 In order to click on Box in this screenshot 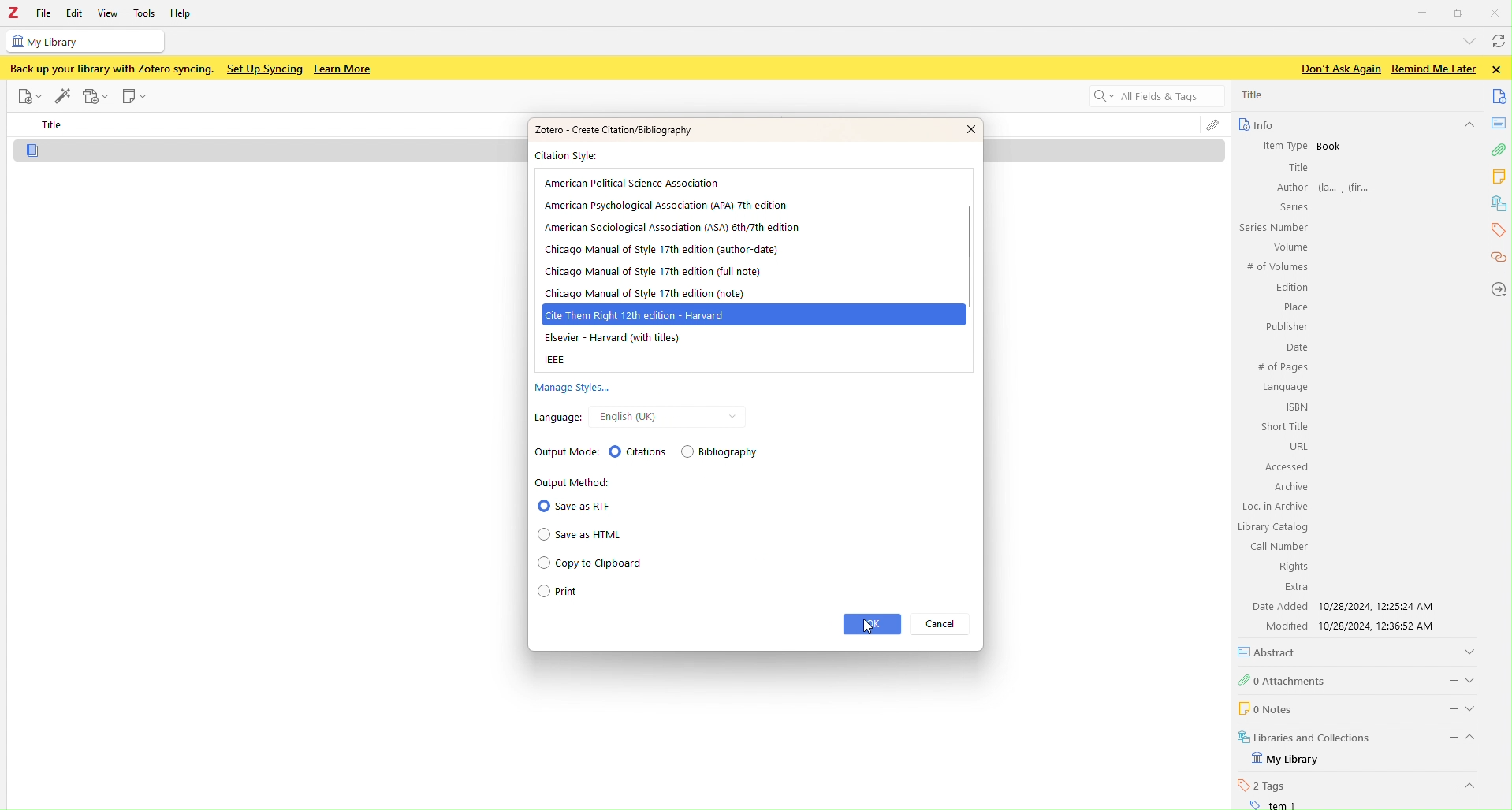, I will do `click(1460, 13)`.